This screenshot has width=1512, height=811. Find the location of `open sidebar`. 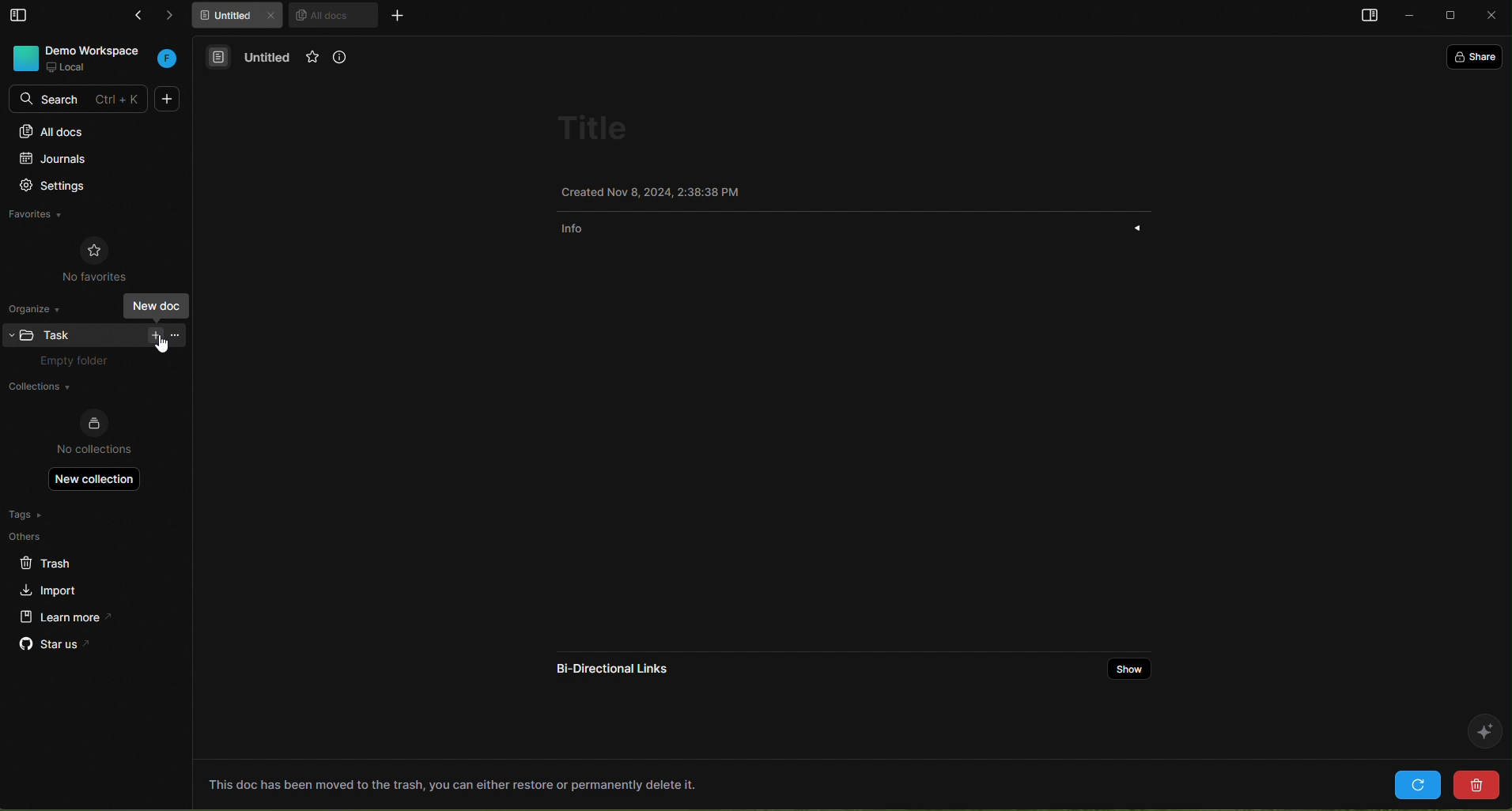

open sidebar is located at coordinates (1366, 17).